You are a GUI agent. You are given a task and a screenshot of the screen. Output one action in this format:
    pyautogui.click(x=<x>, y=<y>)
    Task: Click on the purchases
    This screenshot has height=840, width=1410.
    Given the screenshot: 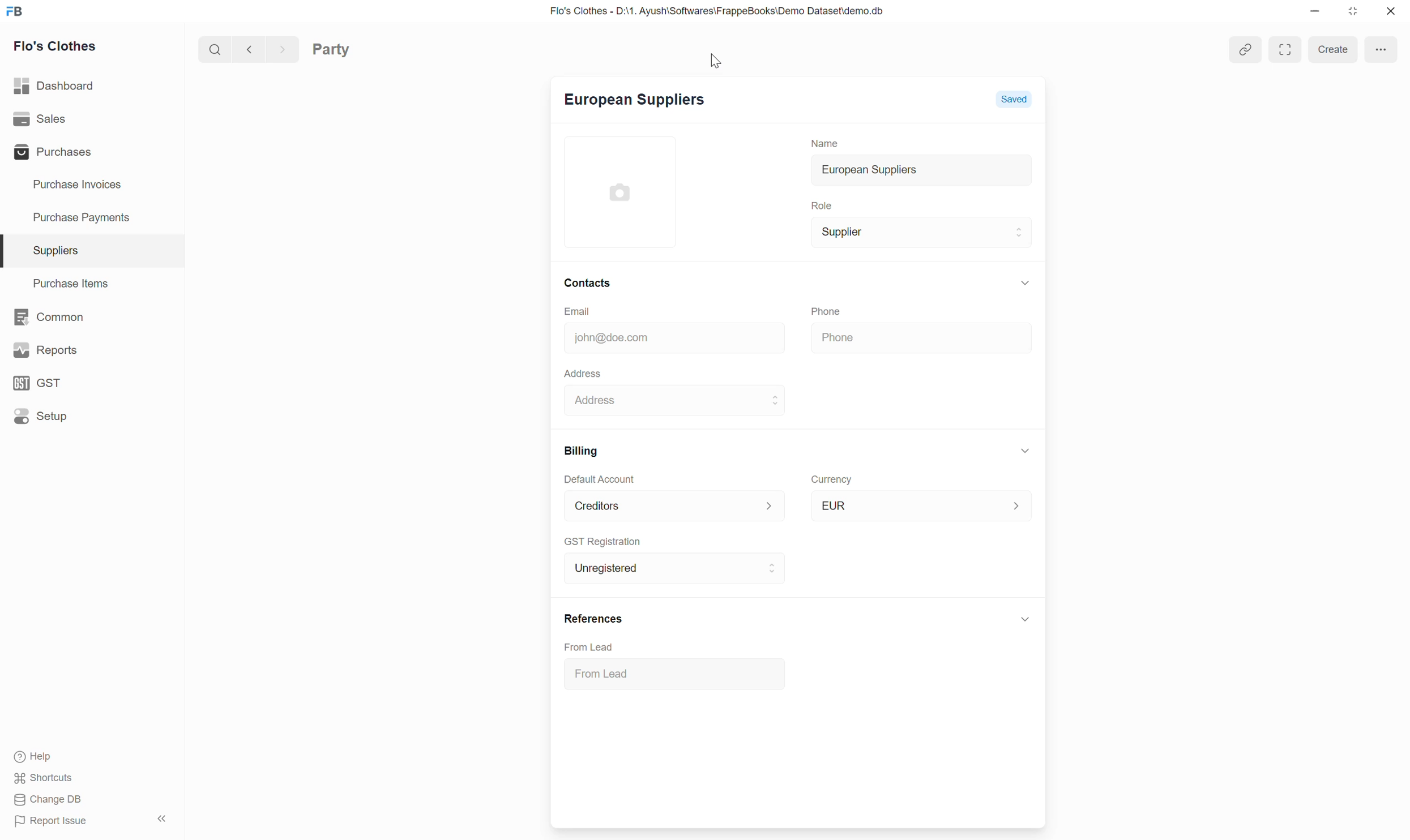 What is the action you would take?
    pyautogui.click(x=50, y=153)
    